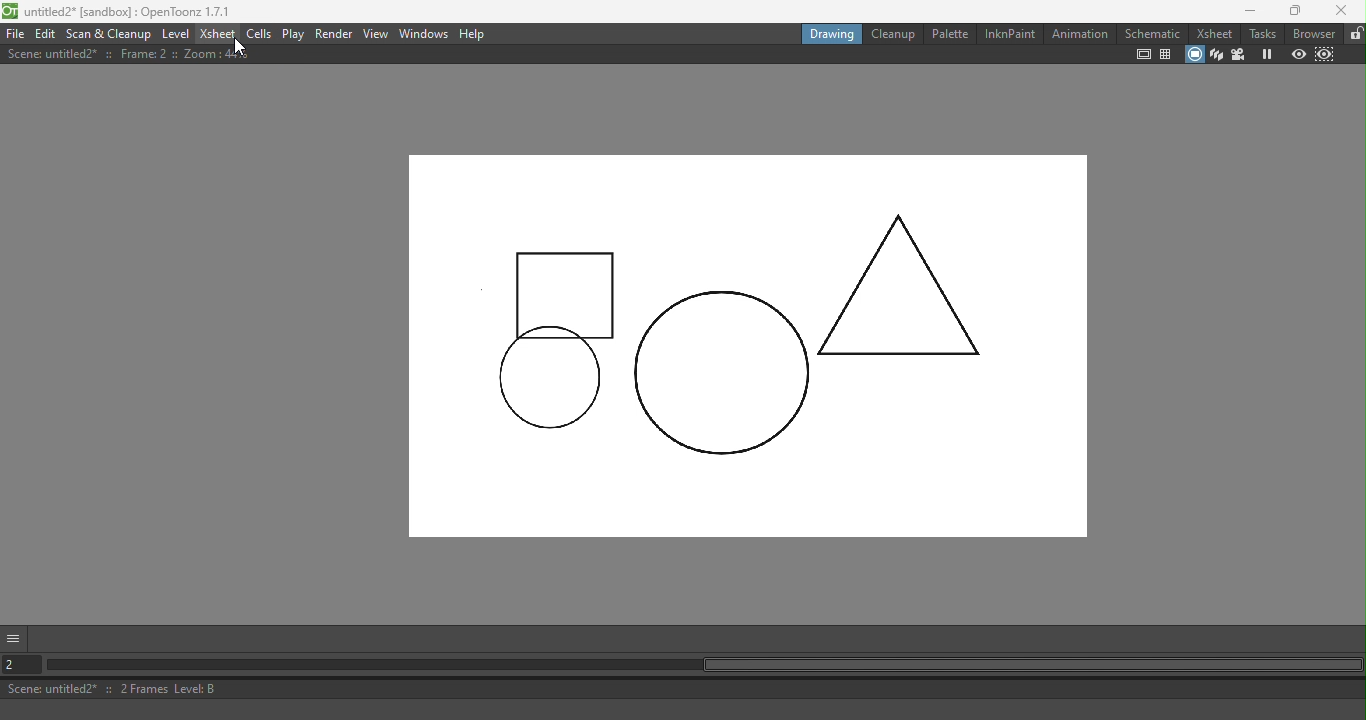  I want to click on Shematic, so click(1151, 31).